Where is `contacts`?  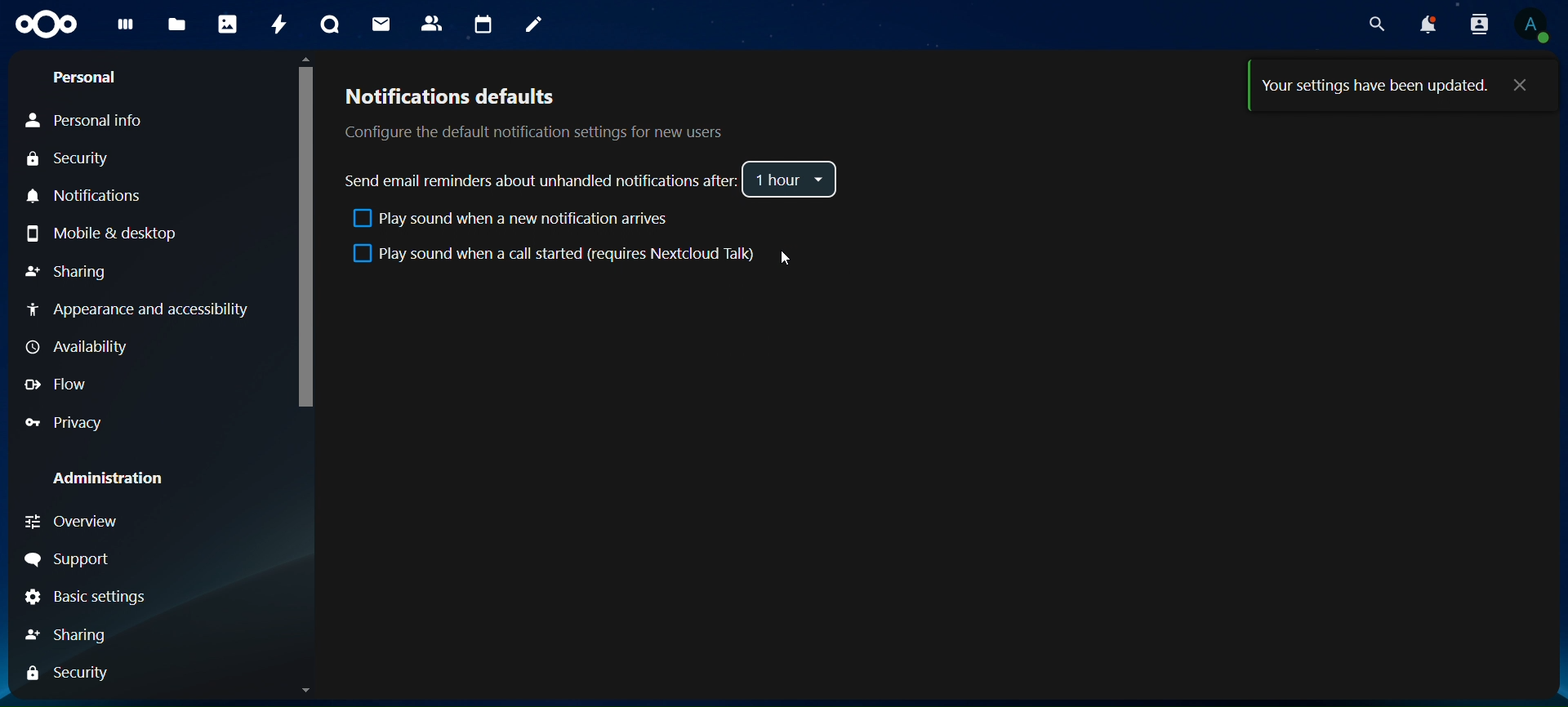
contacts is located at coordinates (432, 23).